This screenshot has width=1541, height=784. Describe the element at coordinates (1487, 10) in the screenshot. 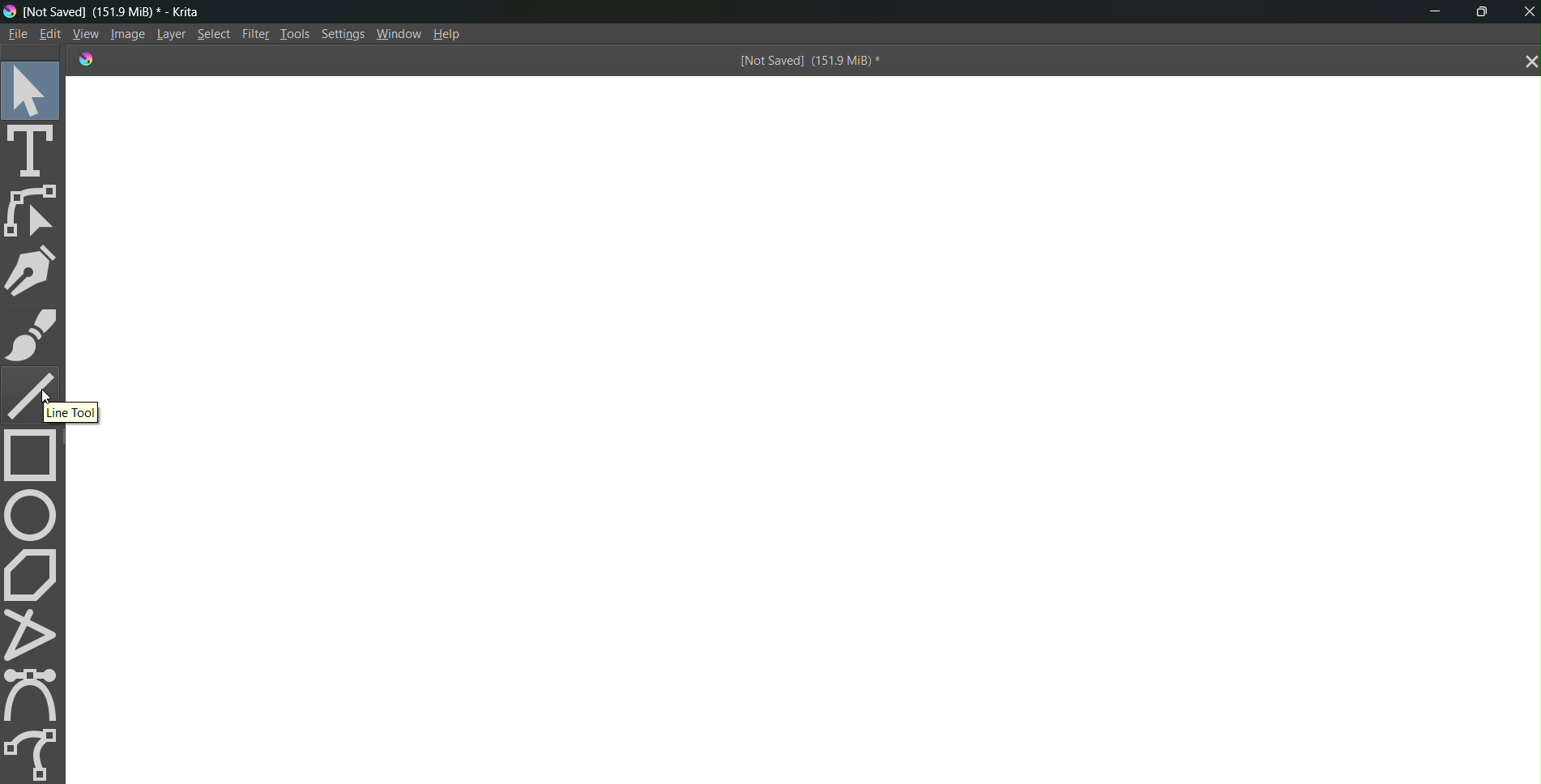

I see `maximize` at that location.